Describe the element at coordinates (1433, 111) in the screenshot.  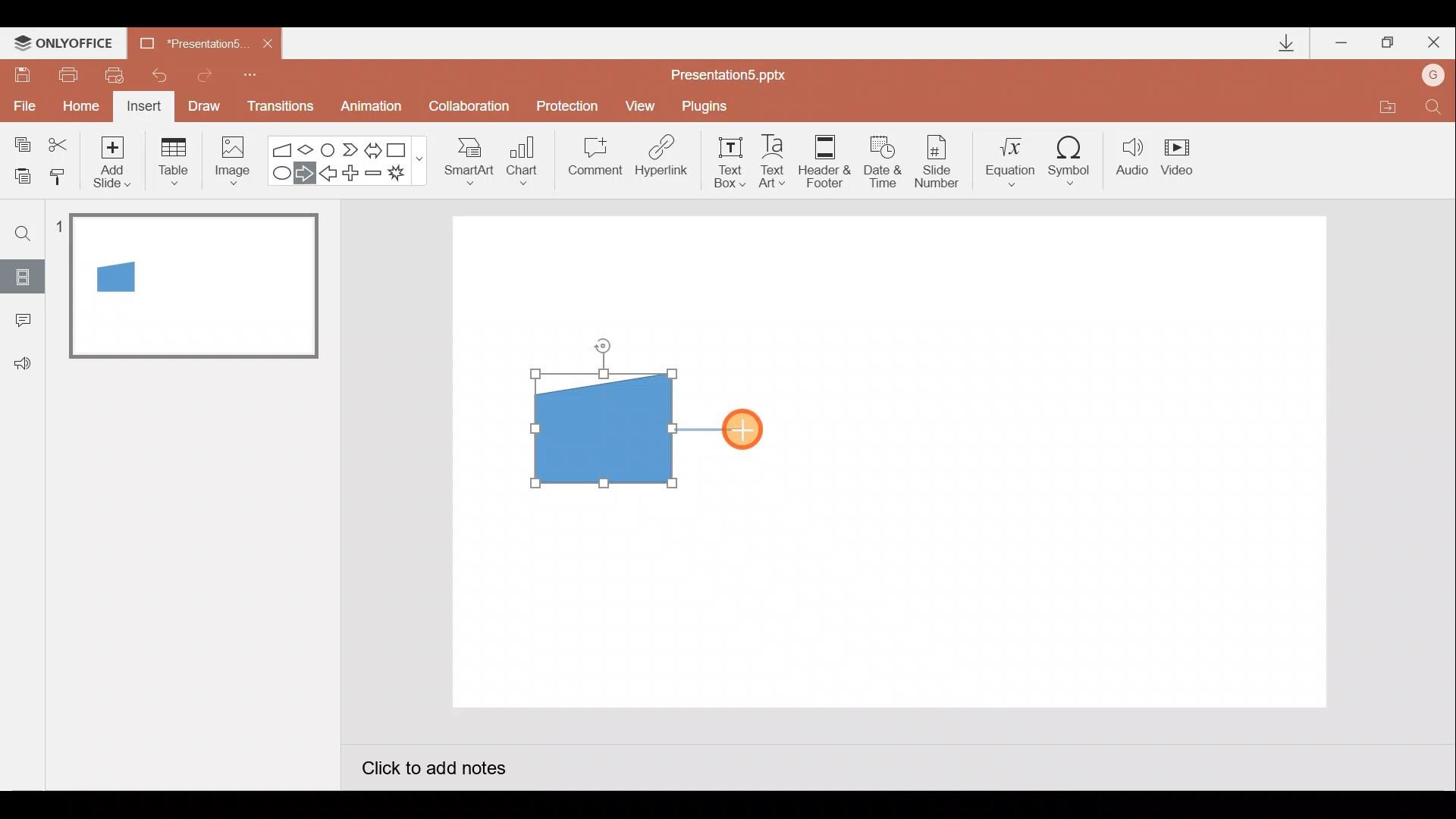
I see `Find` at that location.